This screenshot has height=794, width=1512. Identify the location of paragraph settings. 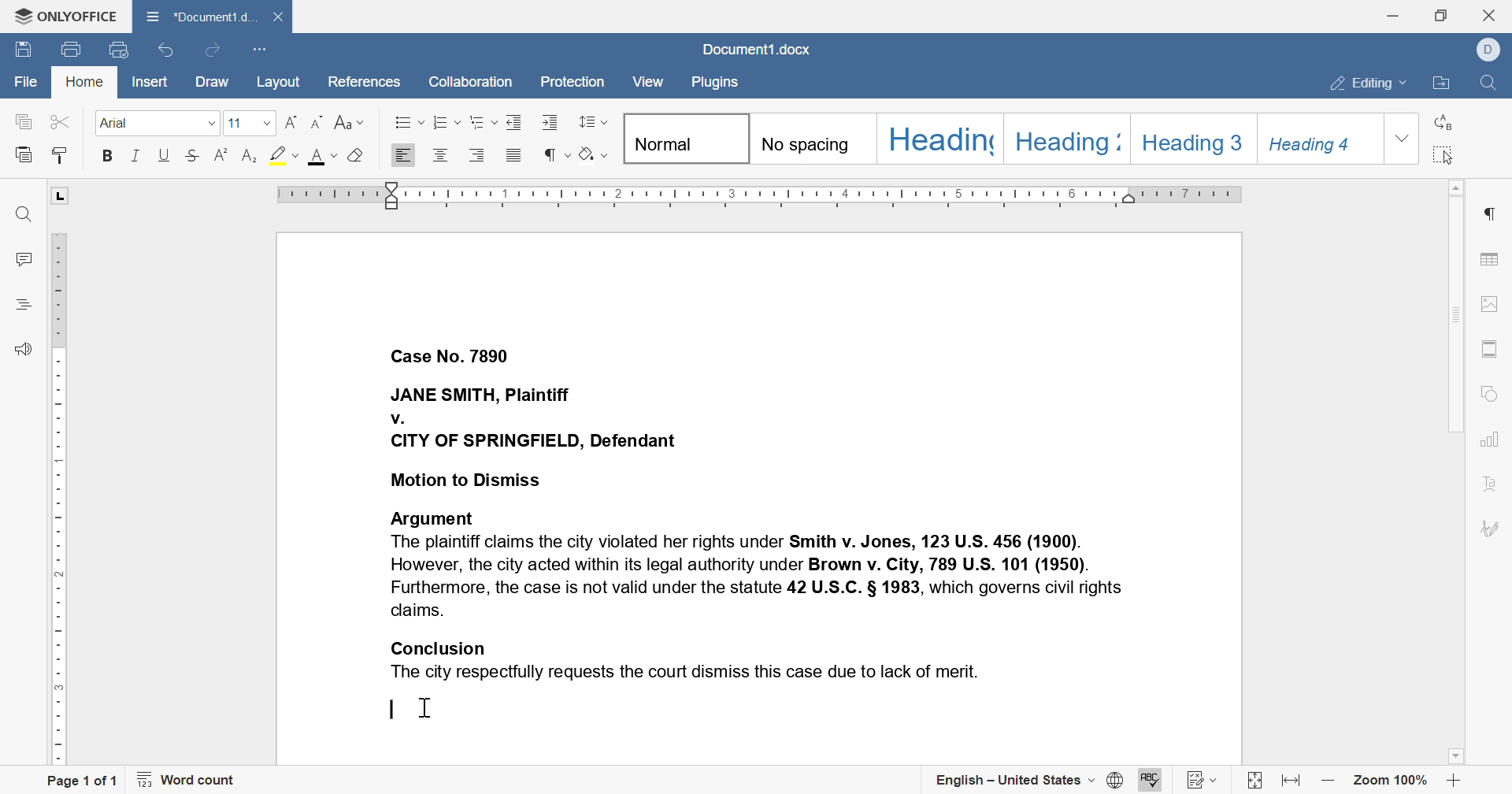
(1489, 213).